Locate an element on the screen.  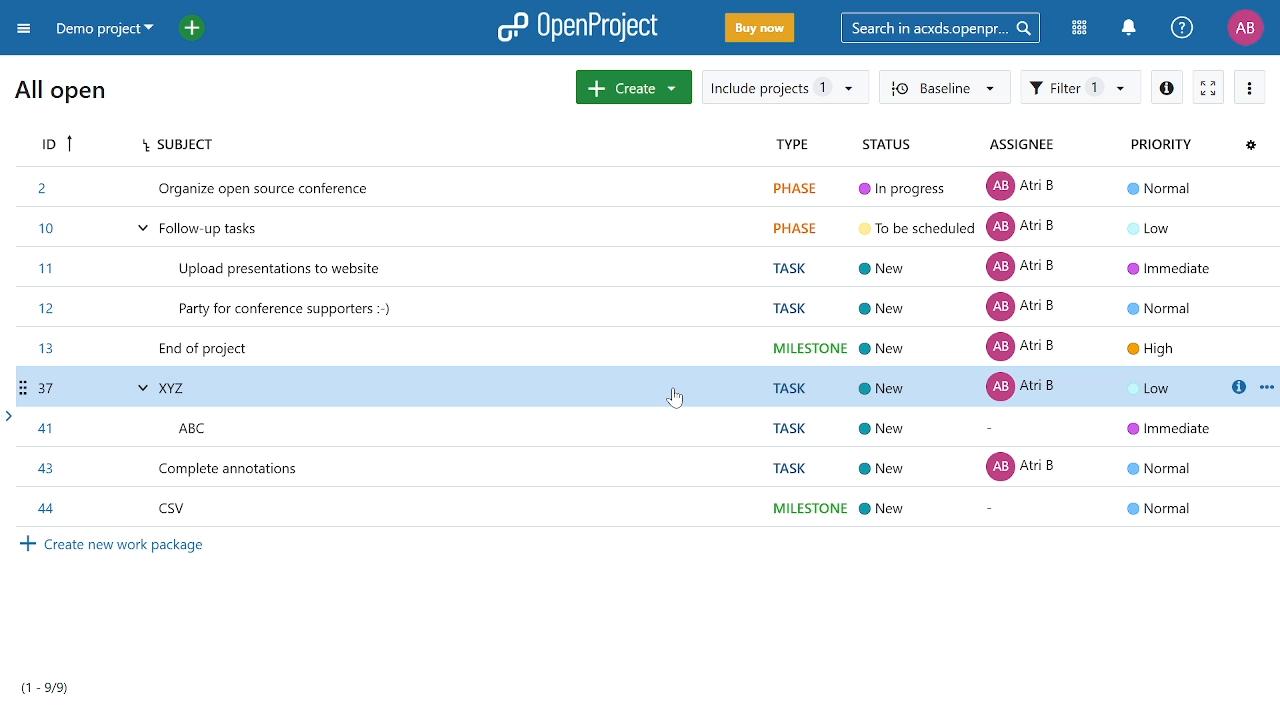
work package ID 2 details is located at coordinates (469, 187).